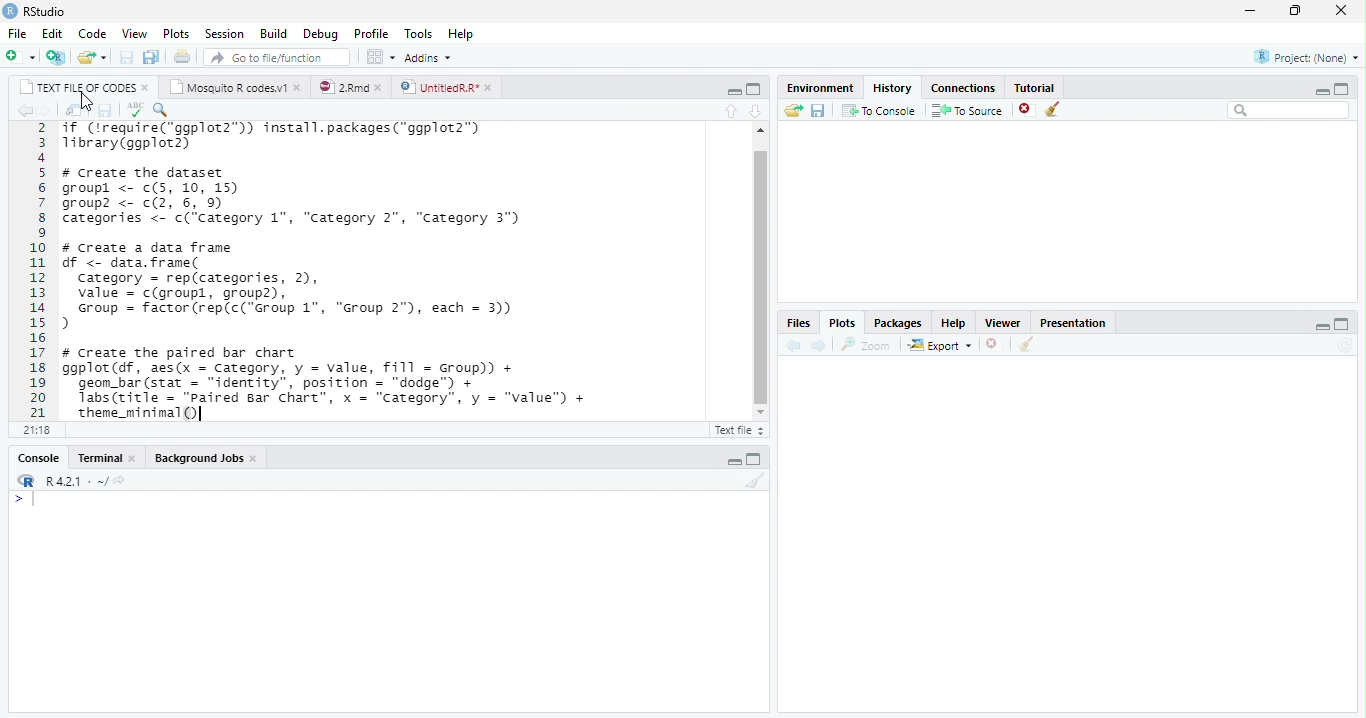 Image resolution: width=1366 pixels, height=718 pixels. I want to click on connections, so click(962, 88).